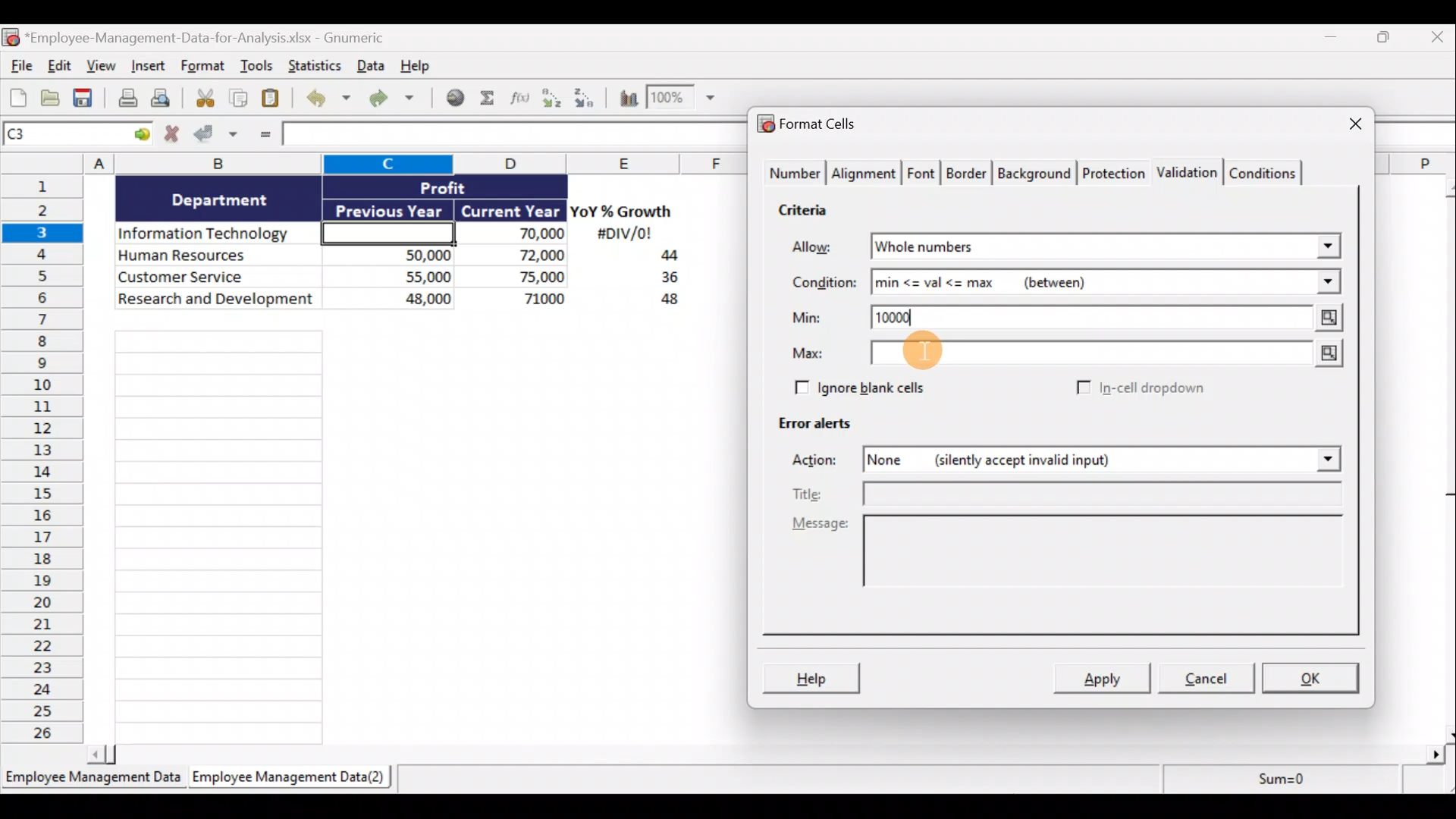 The image size is (1456, 819). Describe the element at coordinates (169, 102) in the screenshot. I see `Print preview` at that location.